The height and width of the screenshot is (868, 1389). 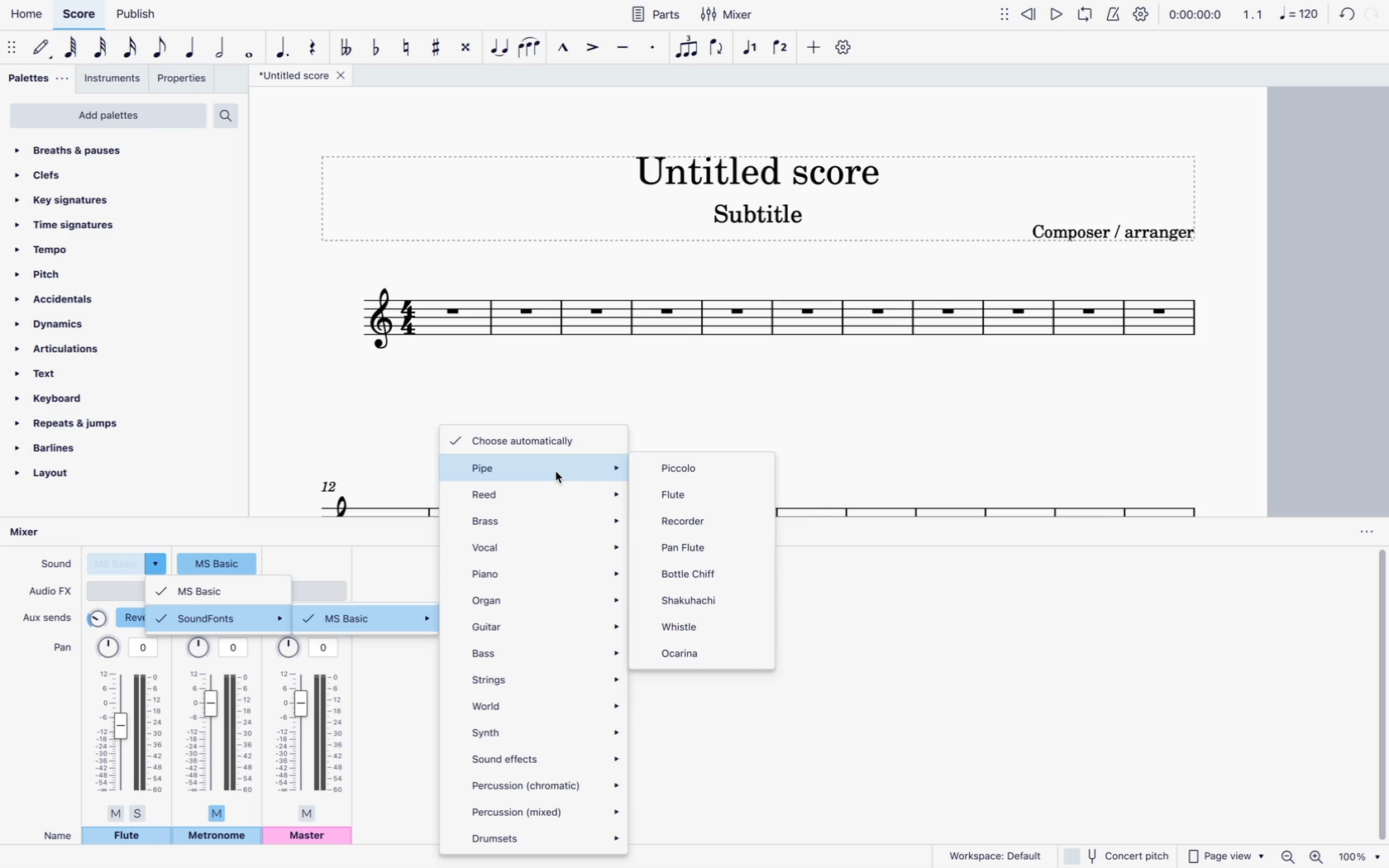 I want to click on flip direction, so click(x=719, y=48).